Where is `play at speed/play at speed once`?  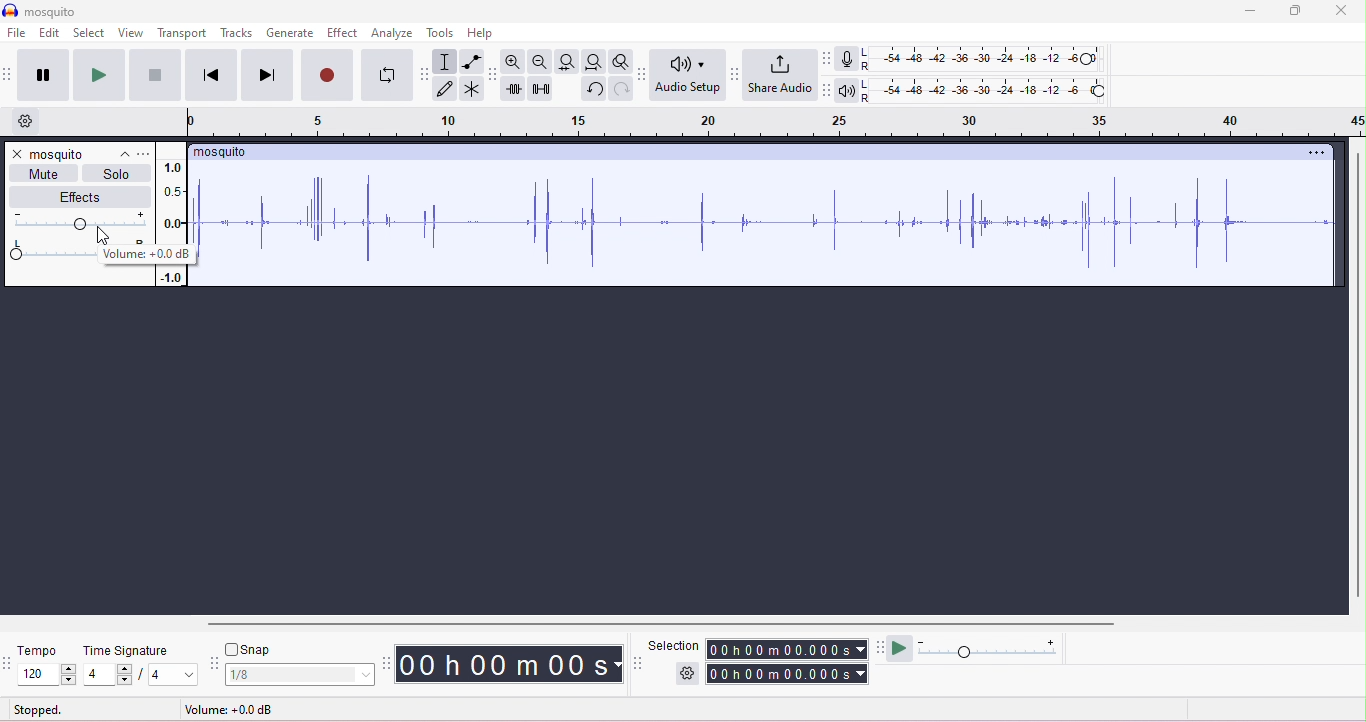
play at speed/play at speed once is located at coordinates (901, 649).